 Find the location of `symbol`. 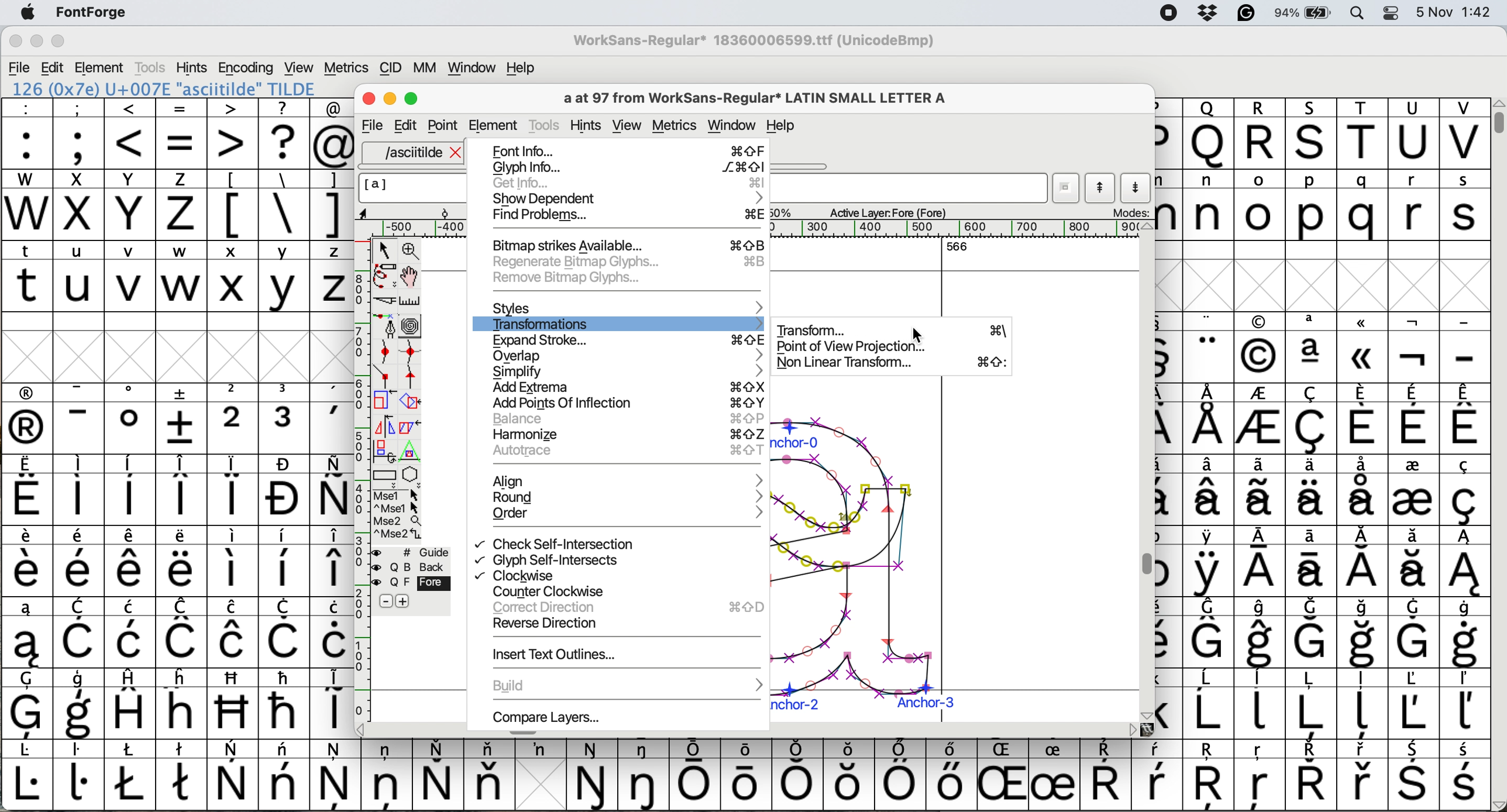

symbol is located at coordinates (1363, 418).